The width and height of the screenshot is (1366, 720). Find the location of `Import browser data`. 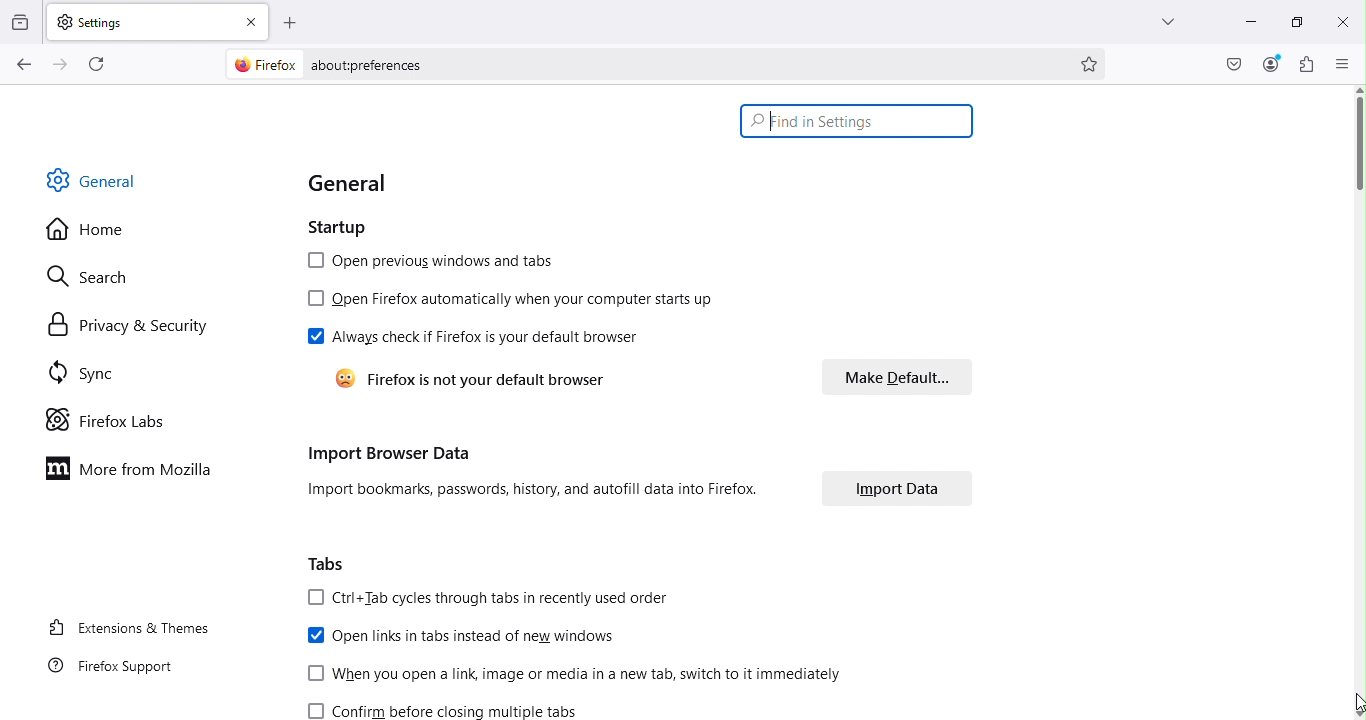

Import browser data is located at coordinates (533, 472).